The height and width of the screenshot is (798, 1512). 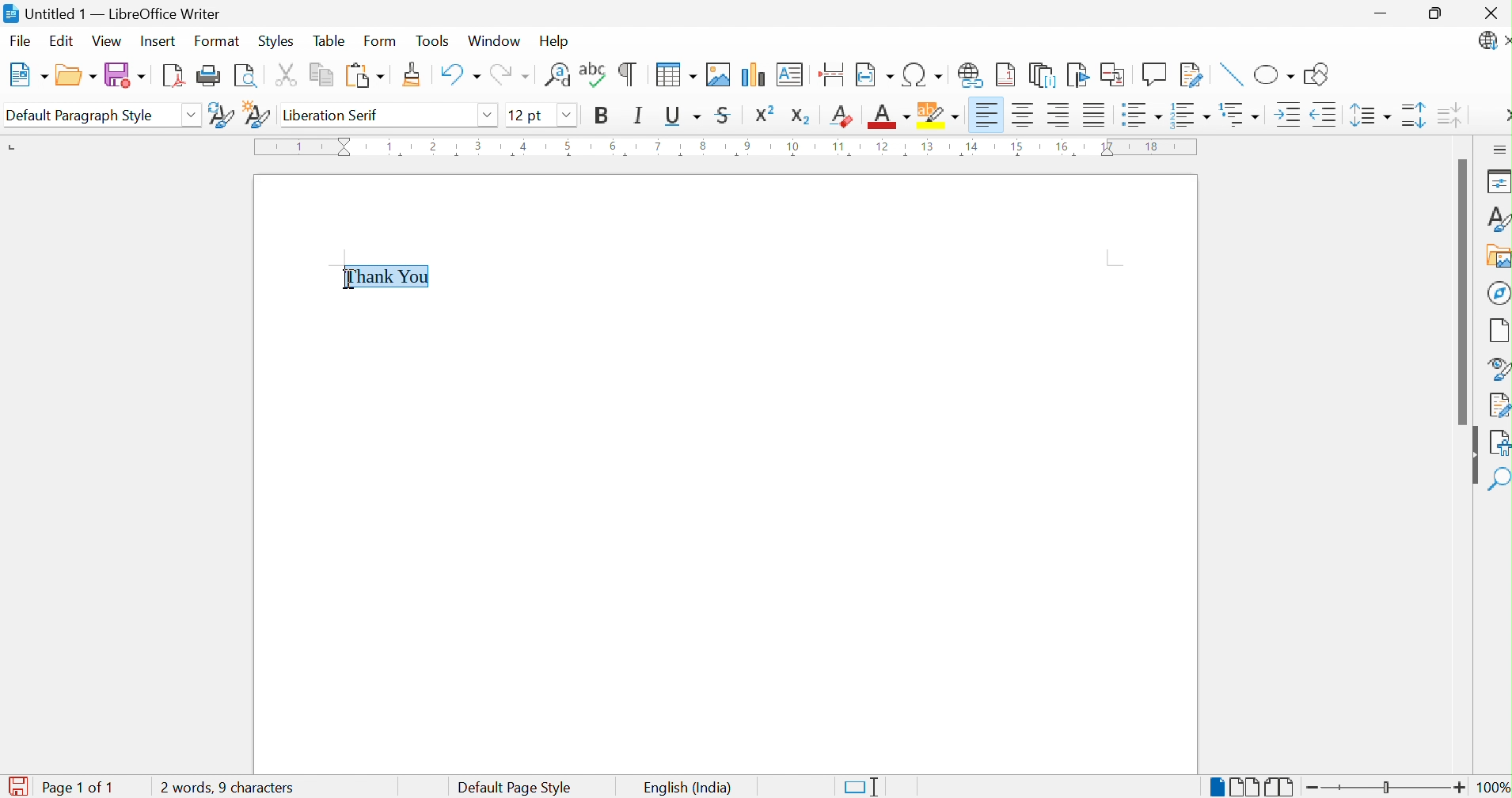 I want to click on Standard Selection. Click to change selection mode., so click(x=862, y=785).